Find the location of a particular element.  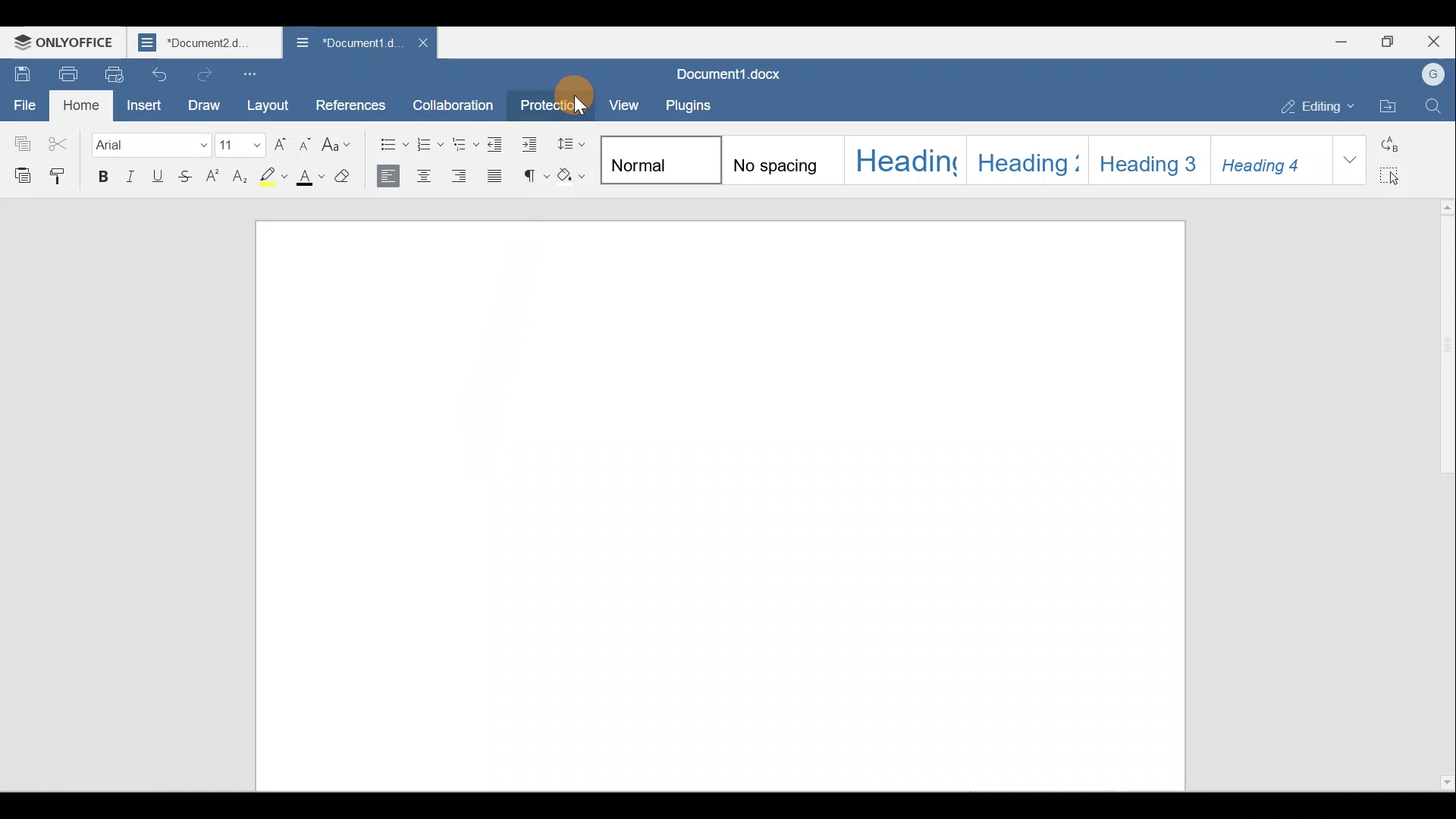

Clear style is located at coordinates (350, 178).